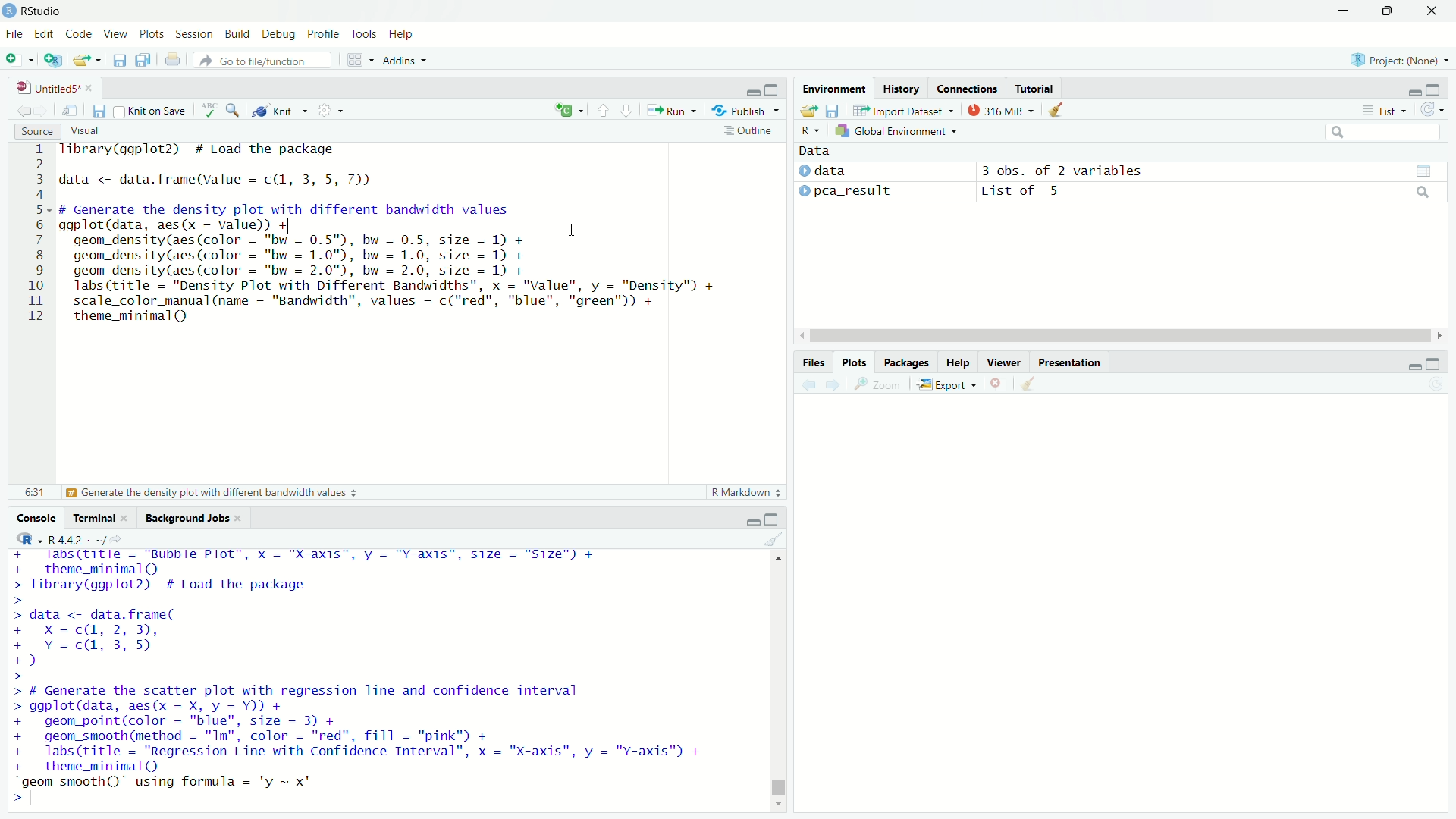 This screenshot has height=819, width=1456. Describe the element at coordinates (803, 171) in the screenshot. I see `expand/collapse` at that location.